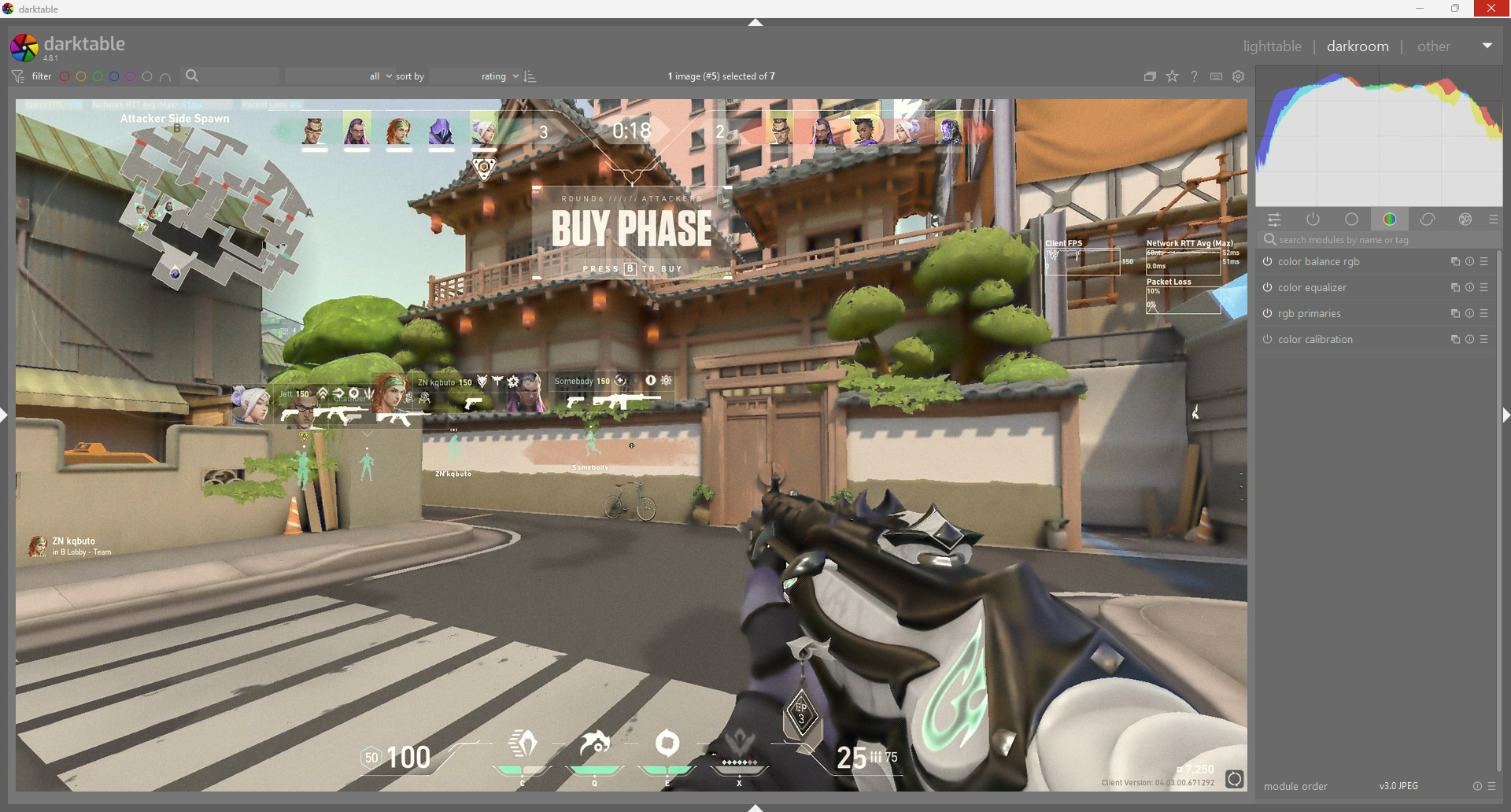 This screenshot has width=1511, height=812. Describe the element at coordinates (168, 77) in the screenshot. I see `include color labels` at that location.